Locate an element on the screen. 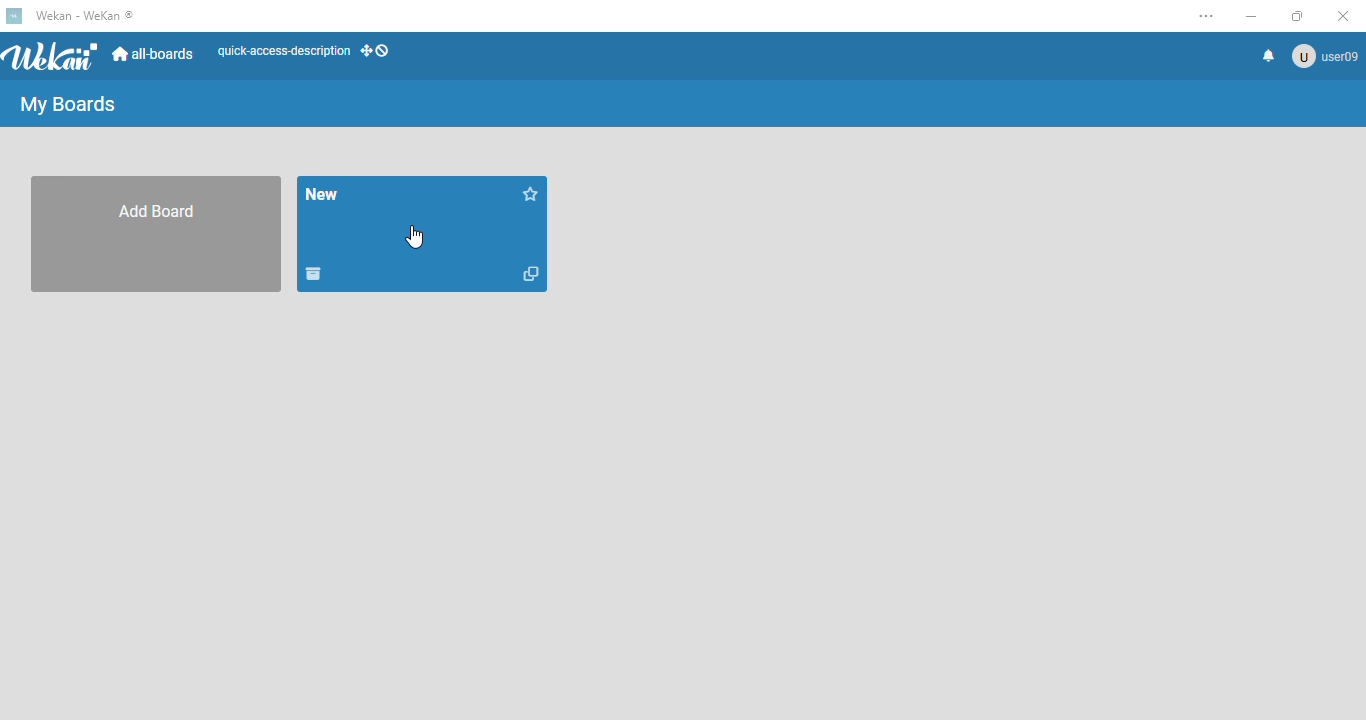  move board to archive is located at coordinates (312, 275).